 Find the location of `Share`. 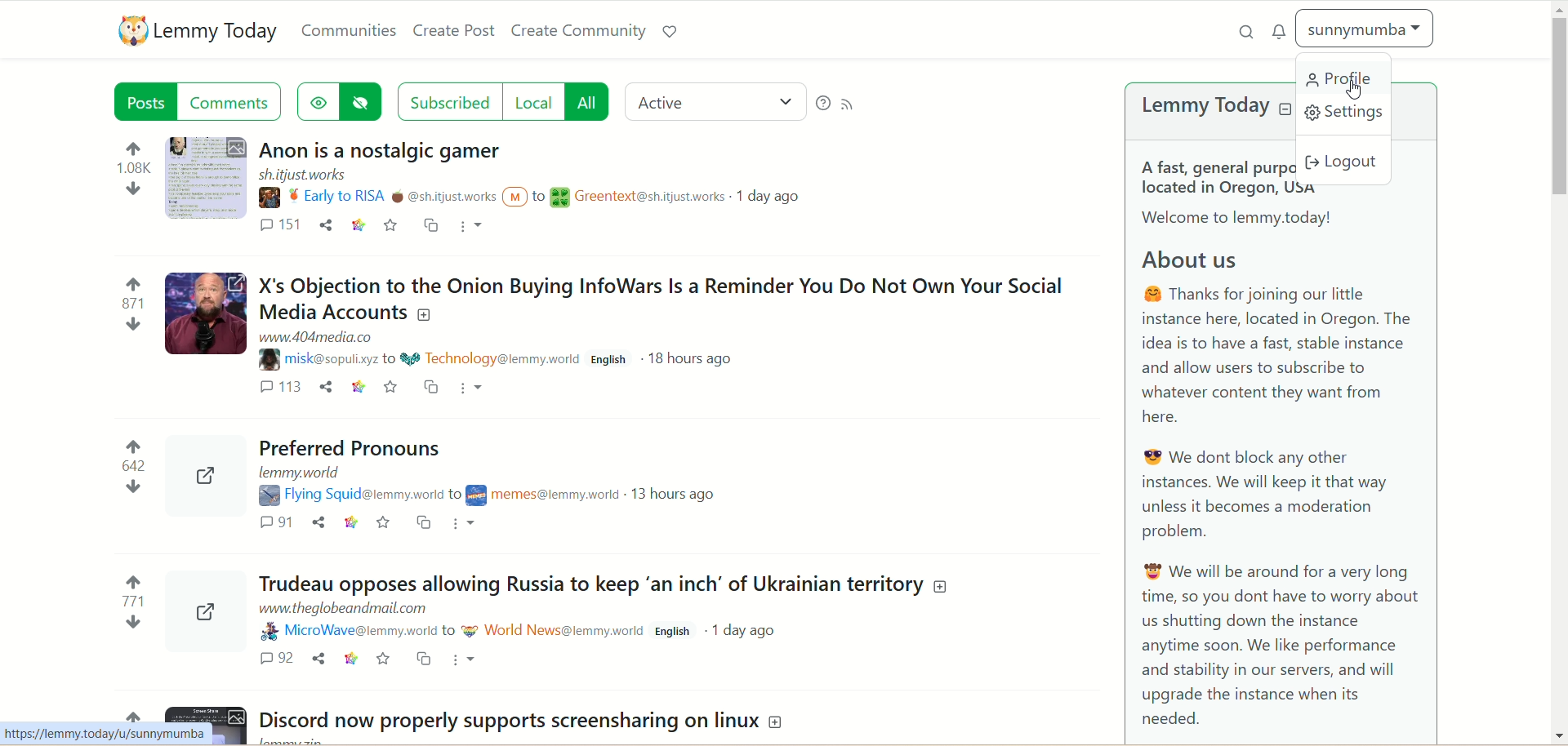

Share is located at coordinates (320, 522).